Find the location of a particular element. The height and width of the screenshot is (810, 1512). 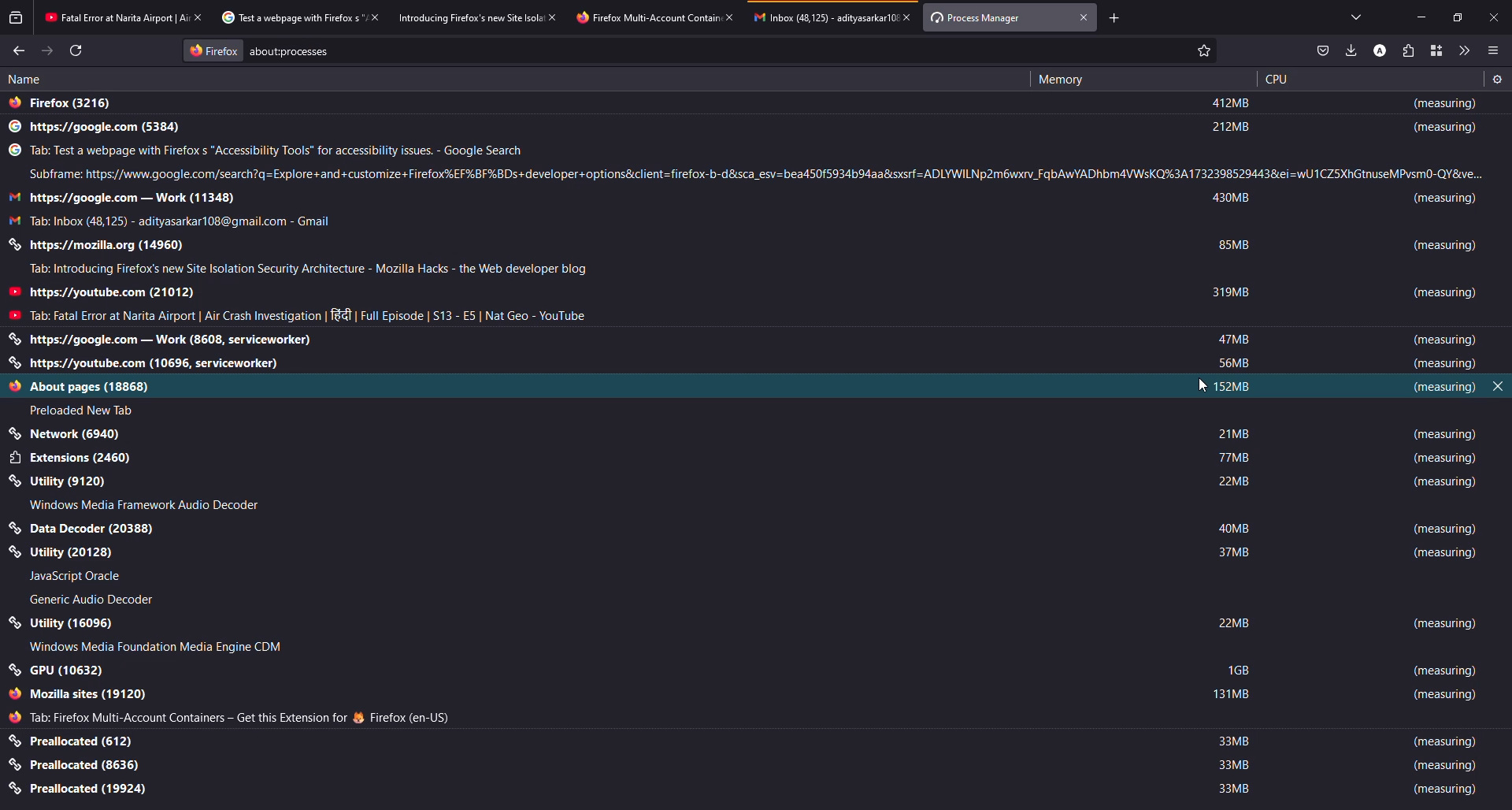

measuring is located at coordinates (1440, 744).